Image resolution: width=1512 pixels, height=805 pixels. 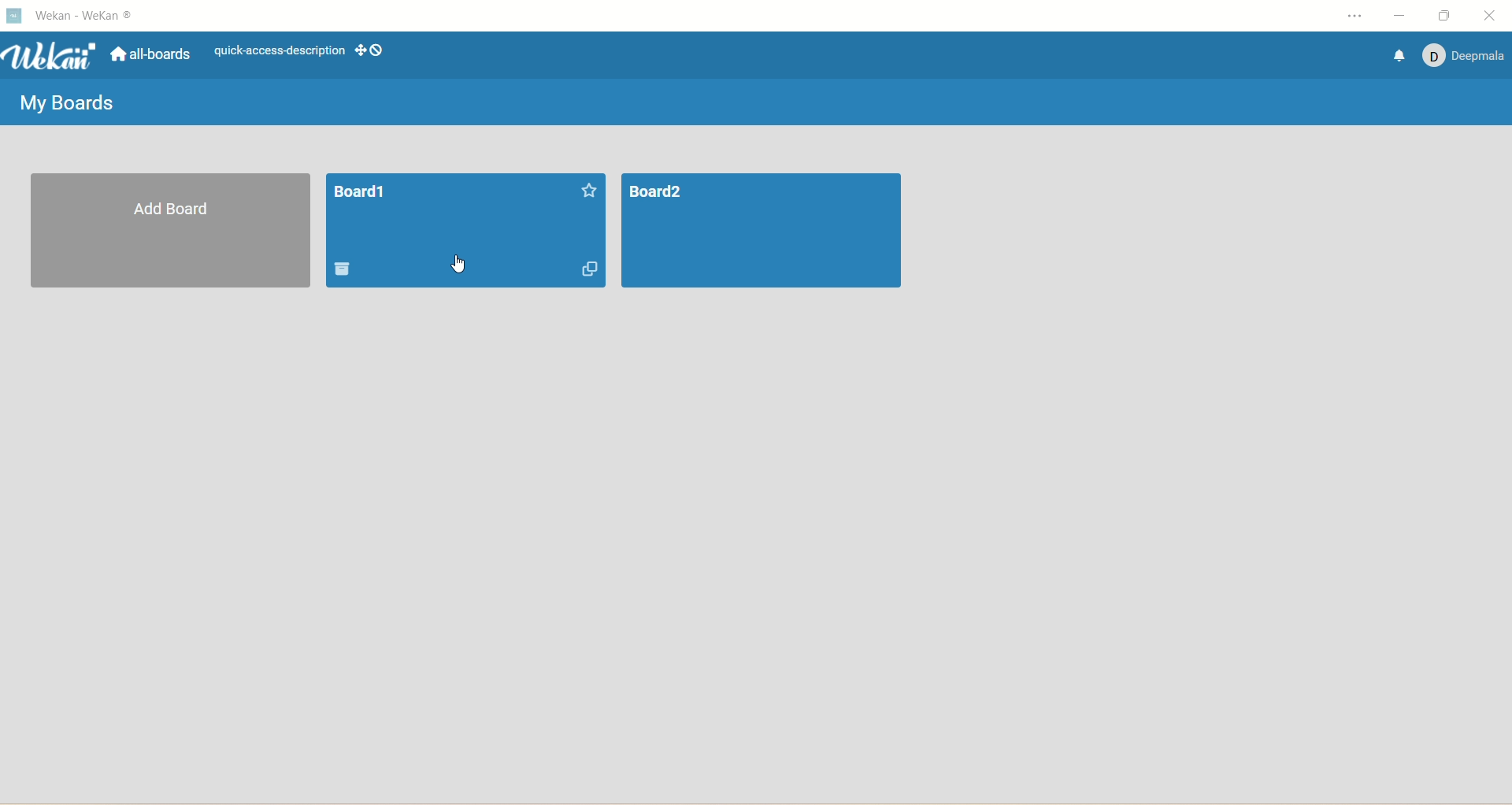 What do you see at coordinates (1403, 16) in the screenshot?
I see `minimize` at bounding box center [1403, 16].